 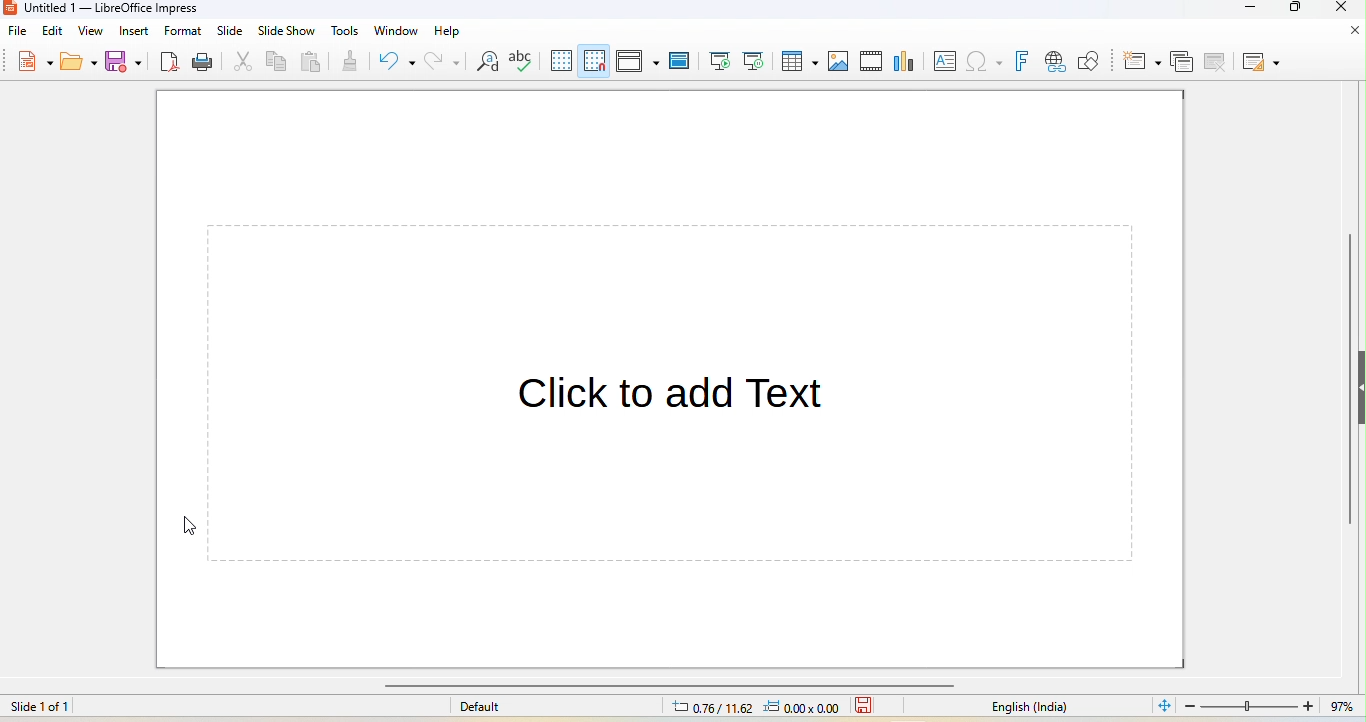 What do you see at coordinates (127, 8) in the screenshot?
I see `untitled 1- libreoffice impress` at bounding box center [127, 8].